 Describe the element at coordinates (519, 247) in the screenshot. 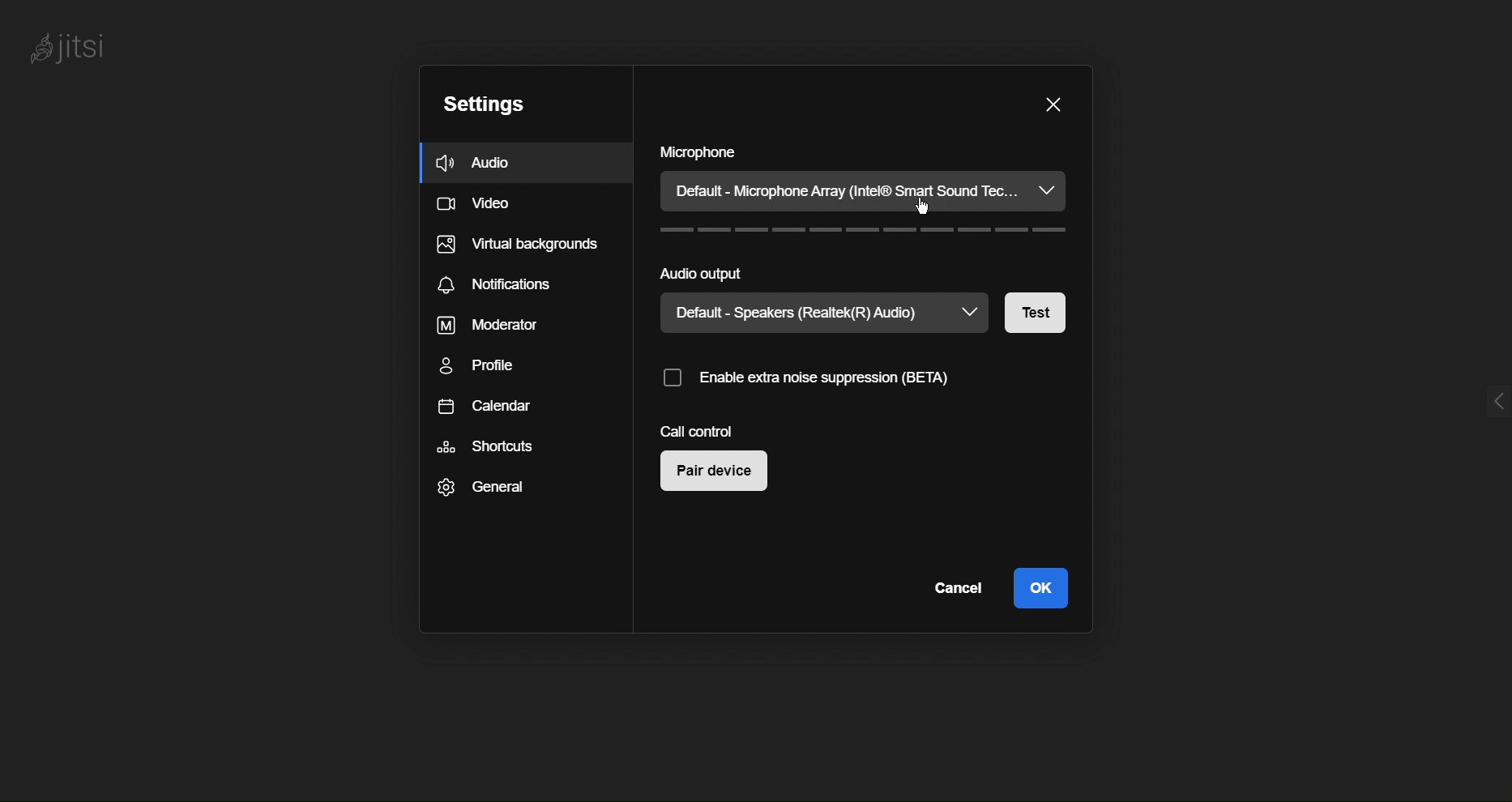

I see `Virtual backgrounds` at that location.